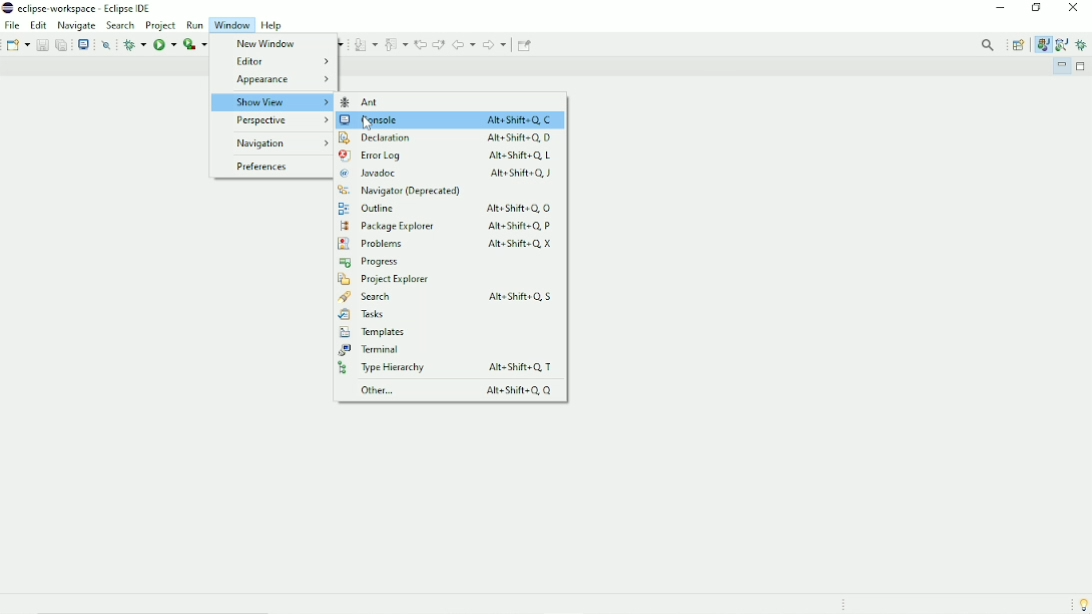 This screenshot has width=1092, height=614. What do you see at coordinates (438, 44) in the screenshot?
I see `Next edit location` at bounding box center [438, 44].